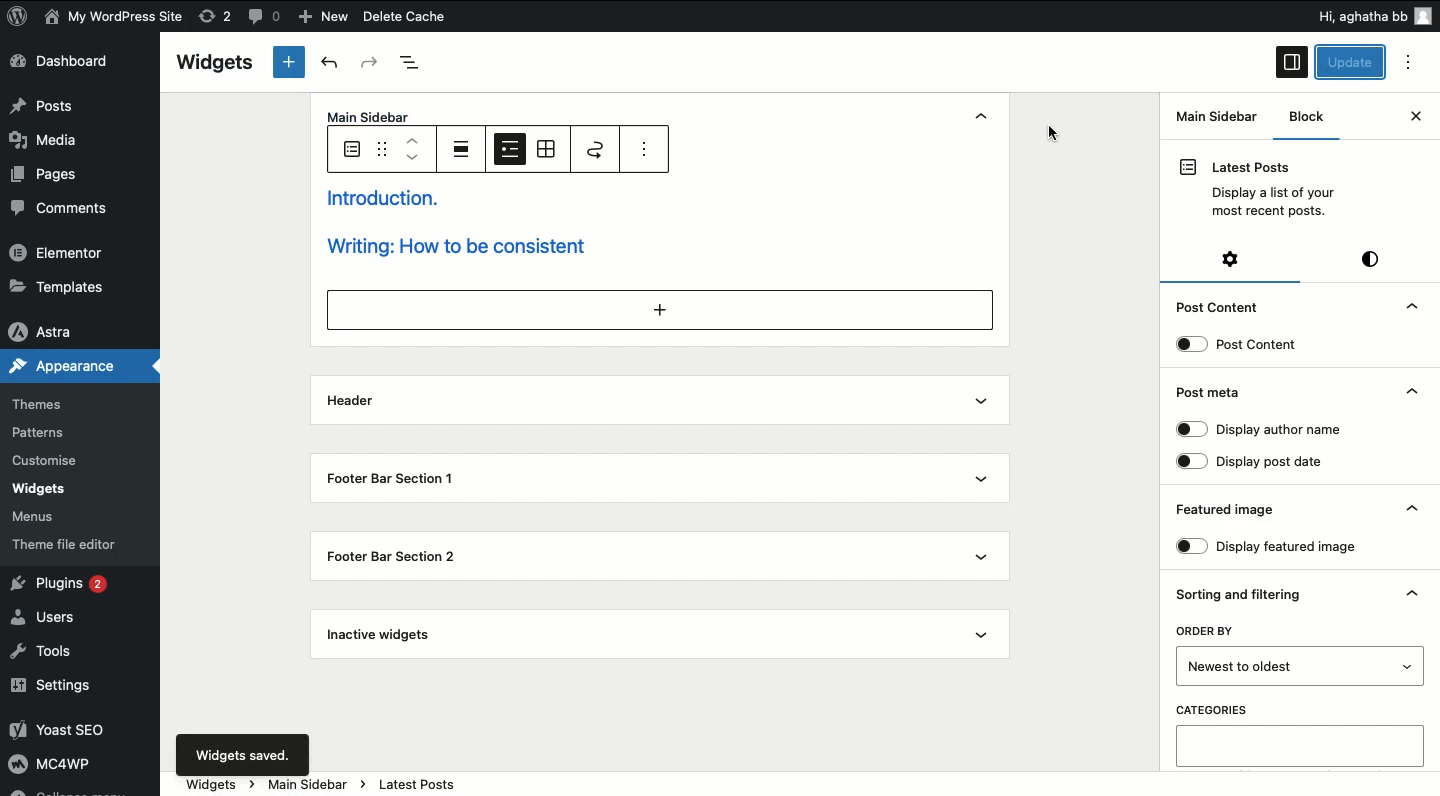 This screenshot has width=1440, height=796. What do you see at coordinates (379, 635) in the screenshot?
I see `Inactive widgets` at bounding box center [379, 635].